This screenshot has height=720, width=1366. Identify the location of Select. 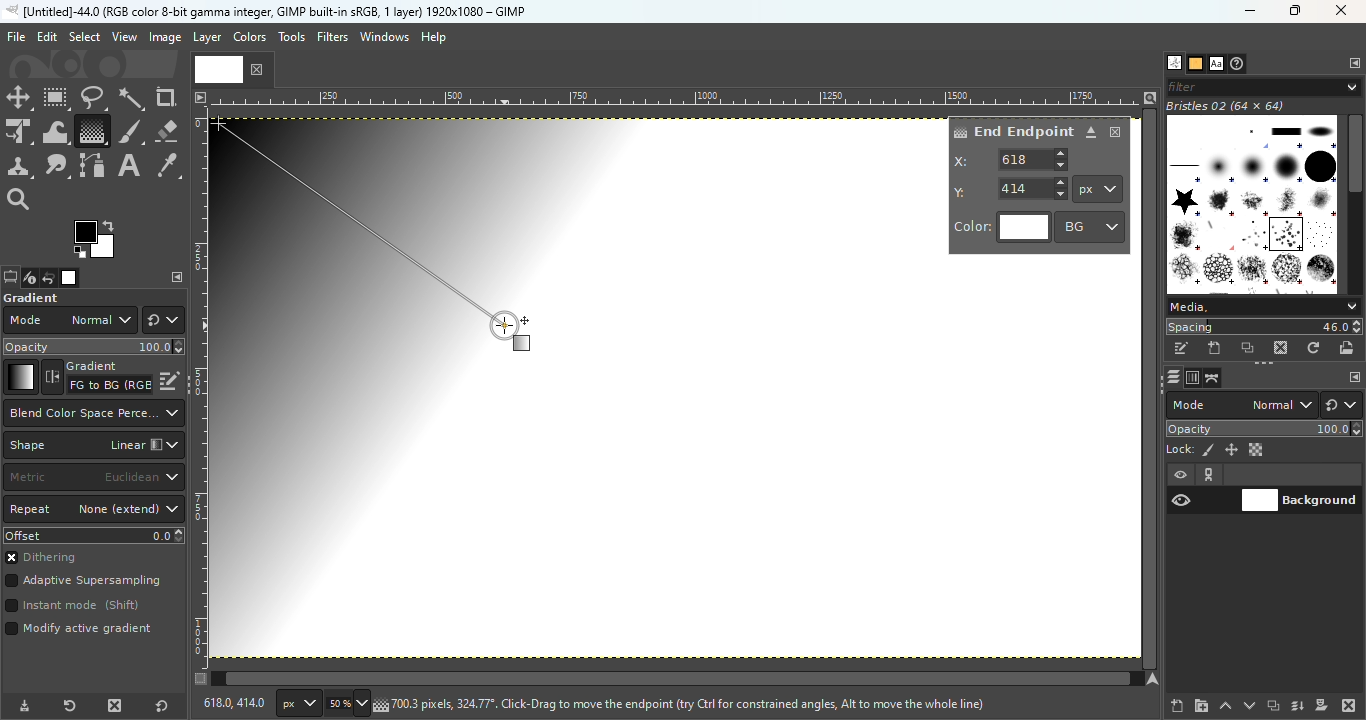
(84, 36).